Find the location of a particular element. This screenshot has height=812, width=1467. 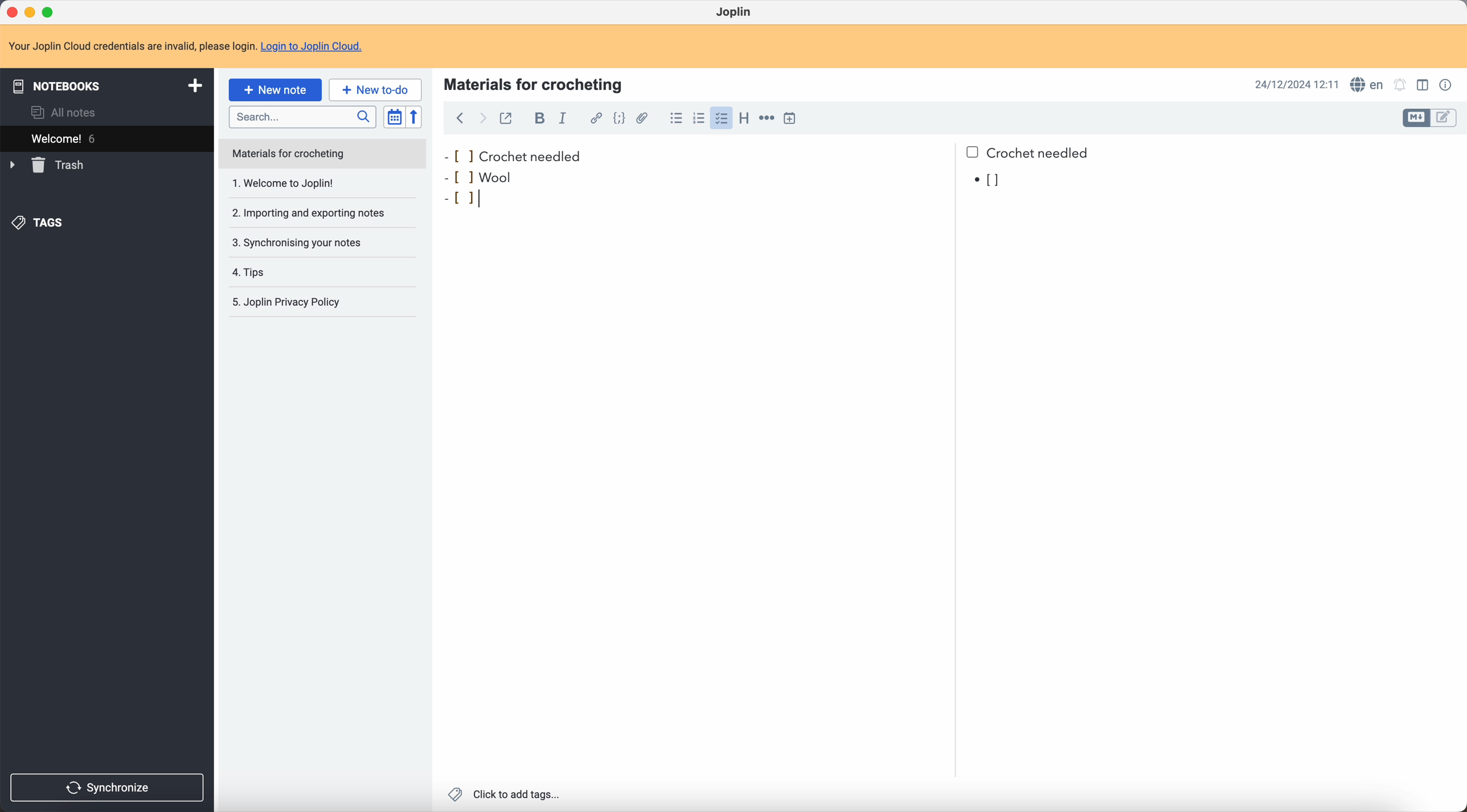

bulleted list is located at coordinates (675, 118).